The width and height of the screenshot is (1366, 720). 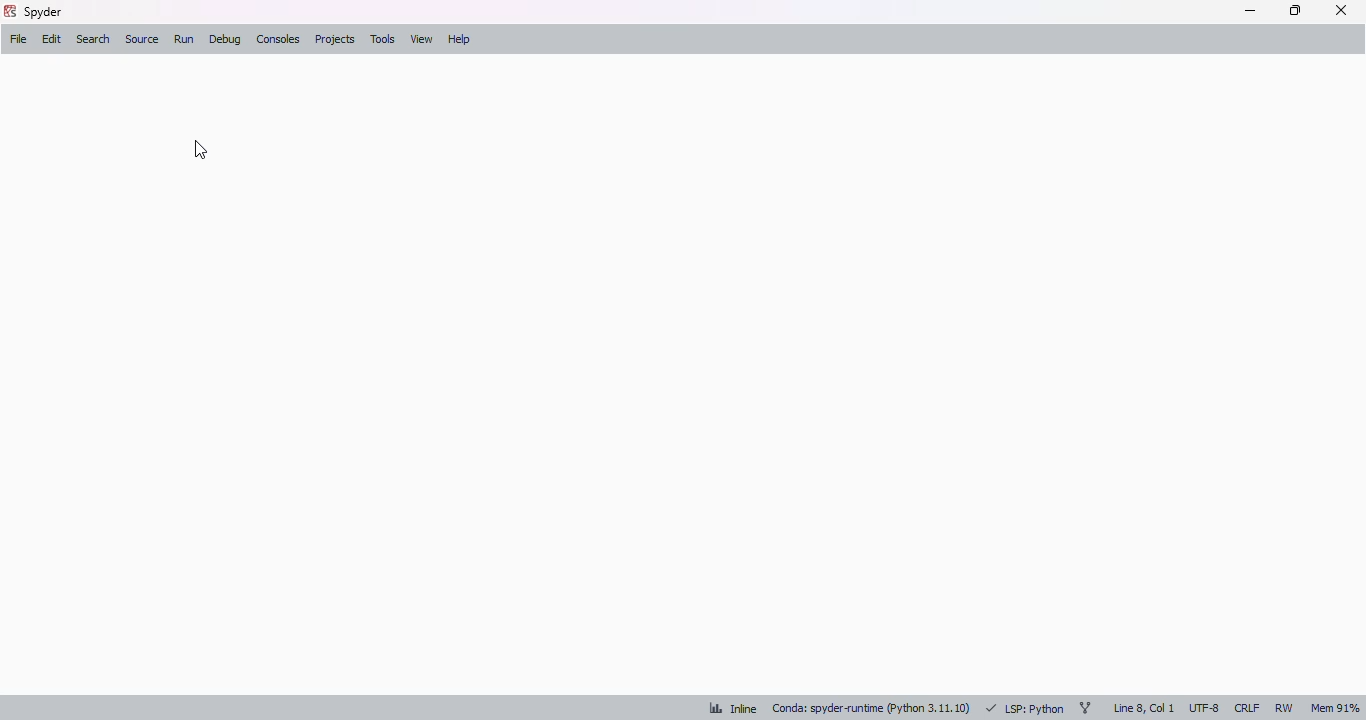 I want to click on RW, so click(x=1285, y=707).